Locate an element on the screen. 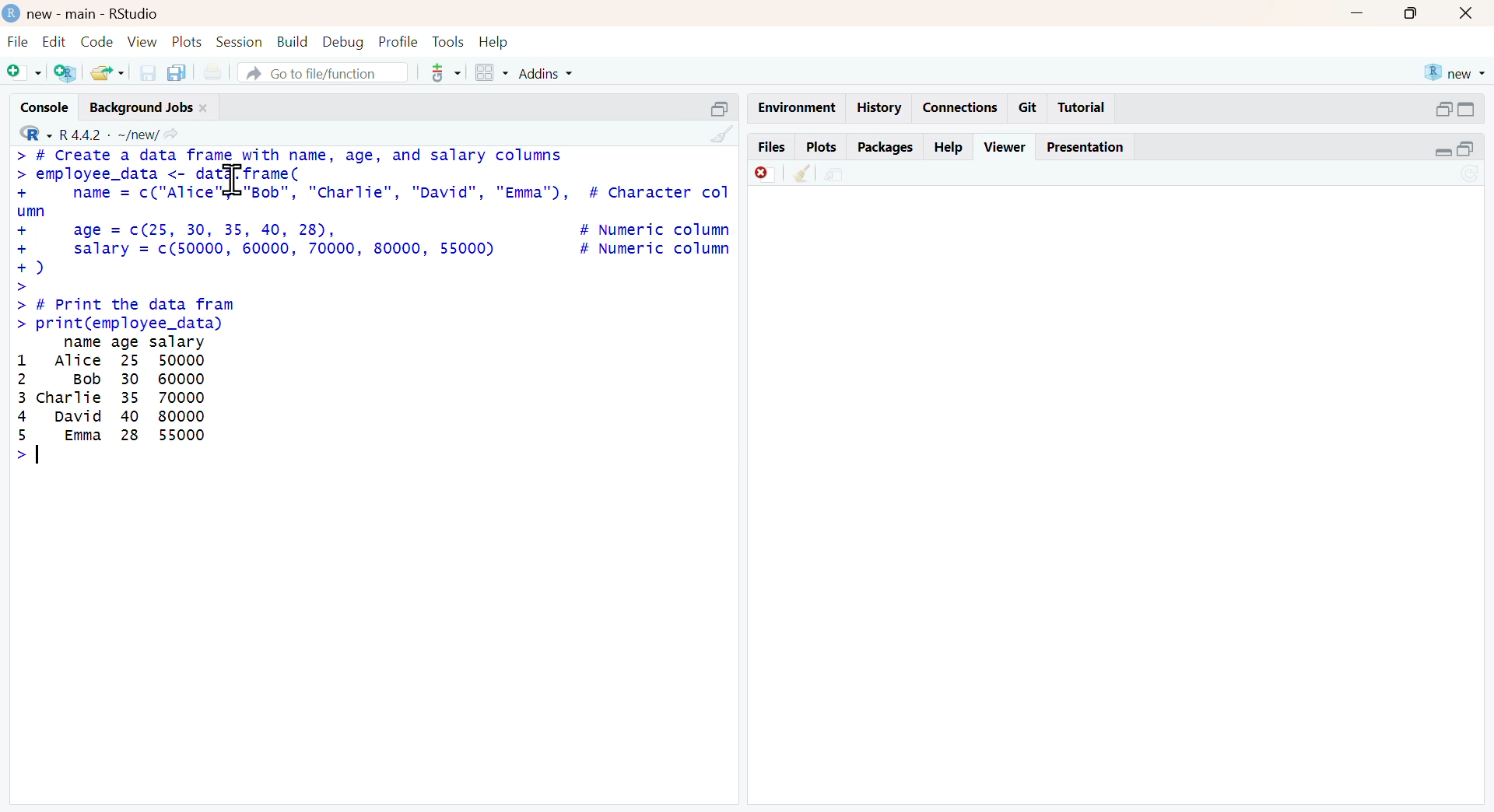 The image size is (1494, 812). Edit is located at coordinates (53, 41).